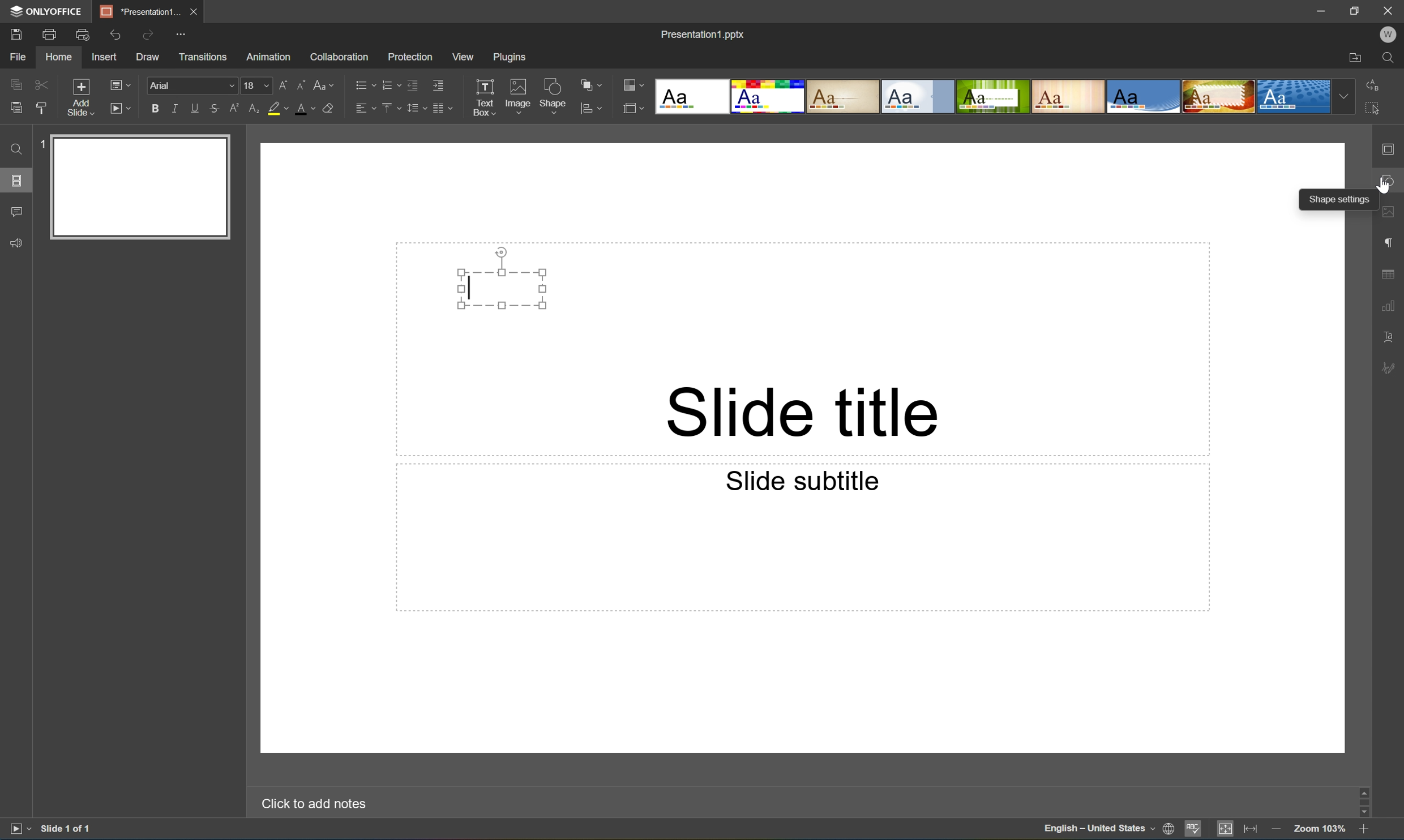 The image size is (1404, 840). Describe the element at coordinates (594, 85) in the screenshot. I see `Arrange shape` at that location.